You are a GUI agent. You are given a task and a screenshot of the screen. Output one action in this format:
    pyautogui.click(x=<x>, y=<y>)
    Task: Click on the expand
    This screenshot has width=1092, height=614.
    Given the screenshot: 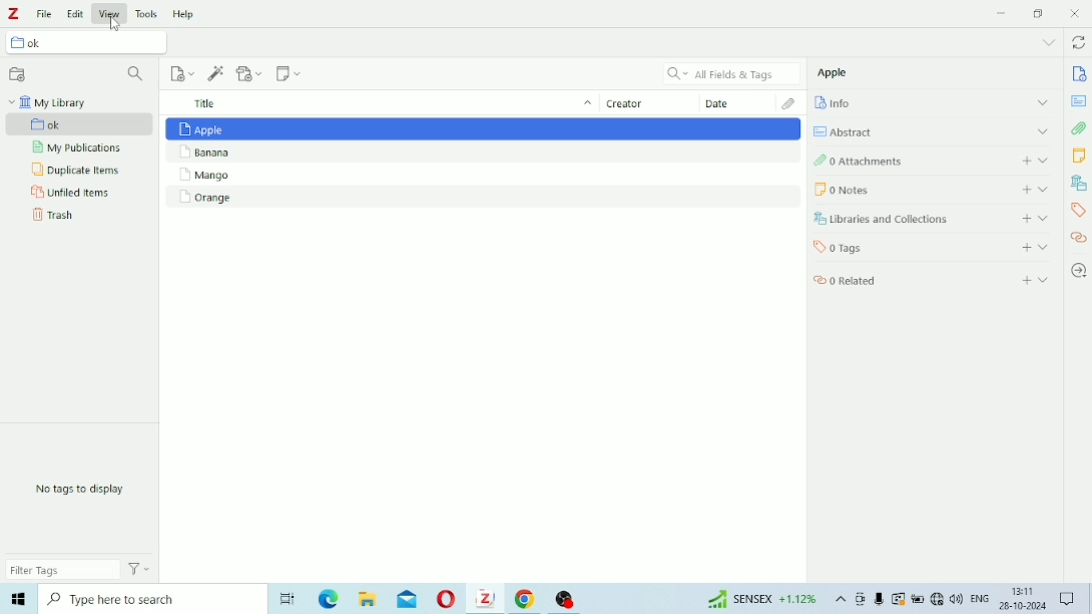 What is the action you would take?
    pyautogui.click(x=1048, y=282)
    